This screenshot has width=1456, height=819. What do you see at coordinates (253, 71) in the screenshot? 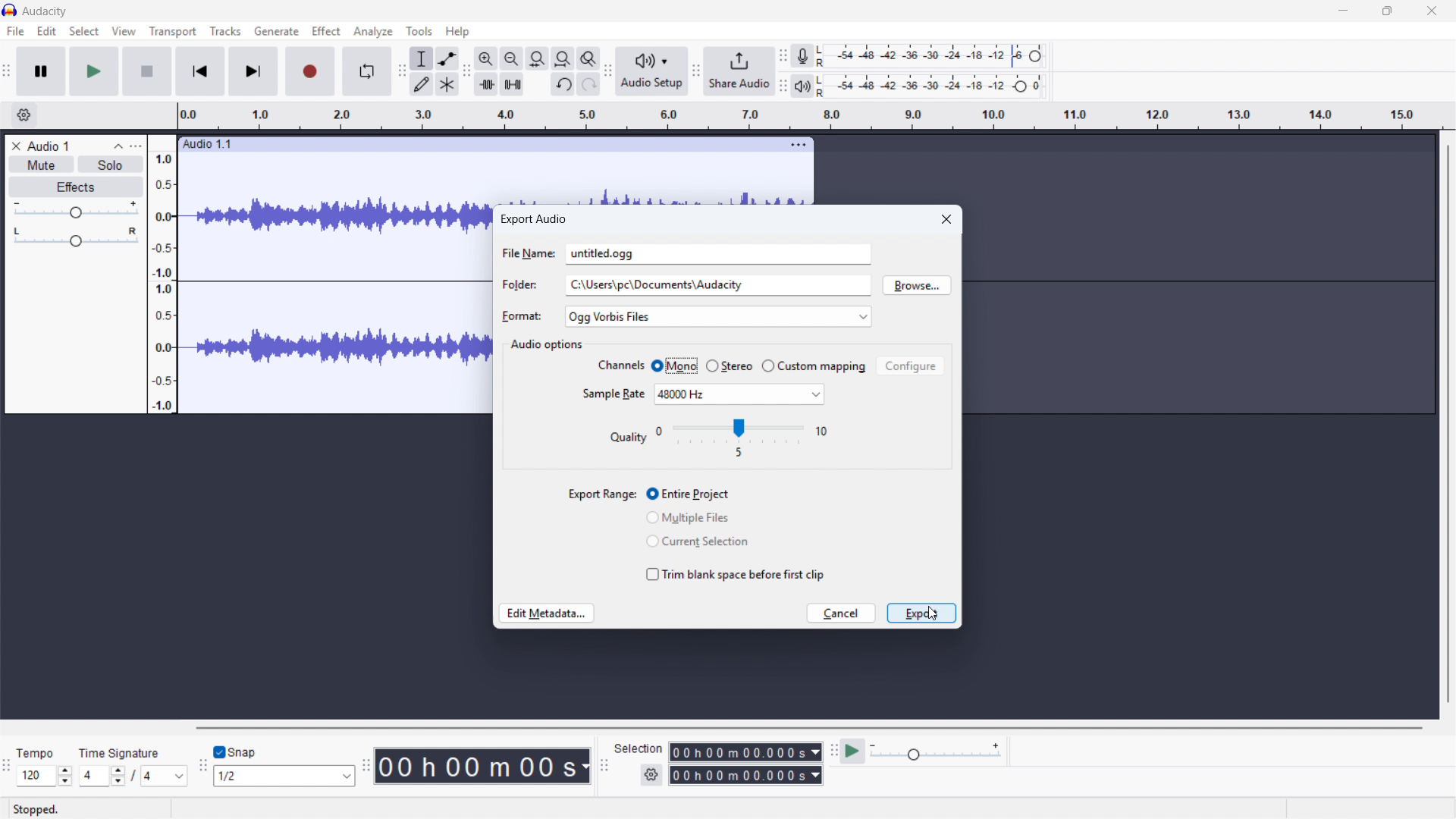
I see `Skip to last ` at bounding box center [253, 71].